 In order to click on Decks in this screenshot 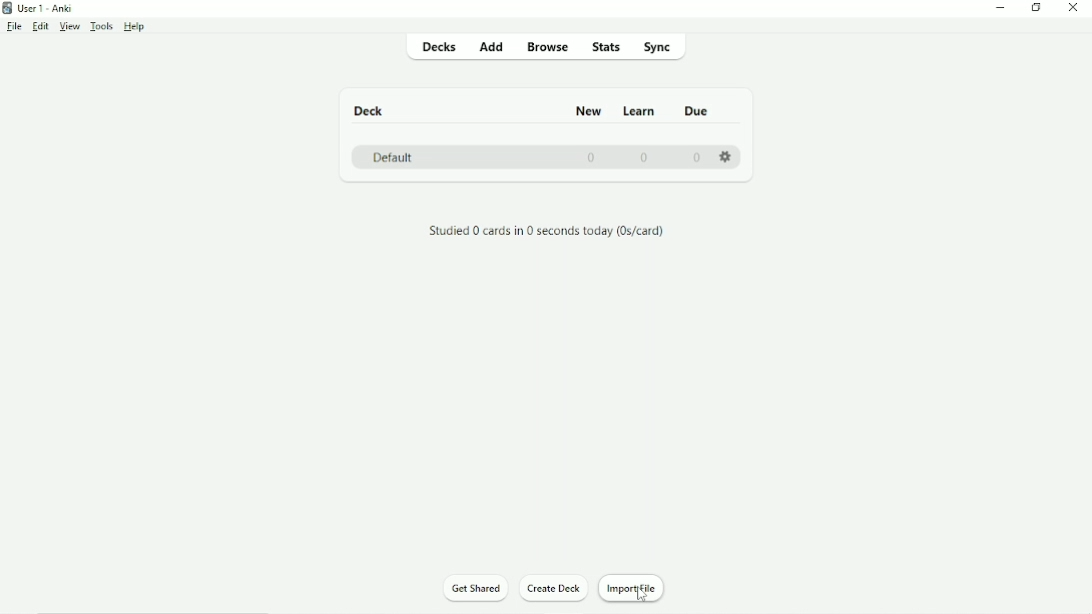, I will do `click(437, 47)`.